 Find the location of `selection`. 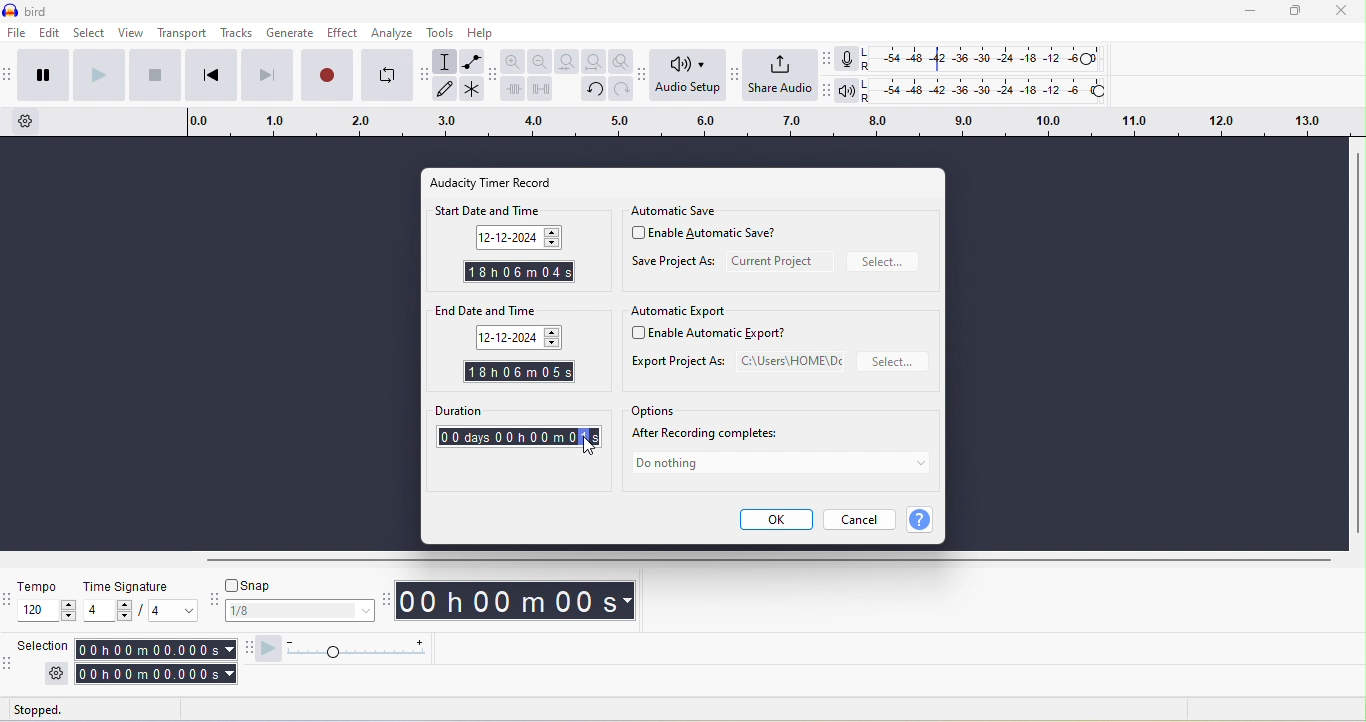

selection is located at coordinates (157, 661).